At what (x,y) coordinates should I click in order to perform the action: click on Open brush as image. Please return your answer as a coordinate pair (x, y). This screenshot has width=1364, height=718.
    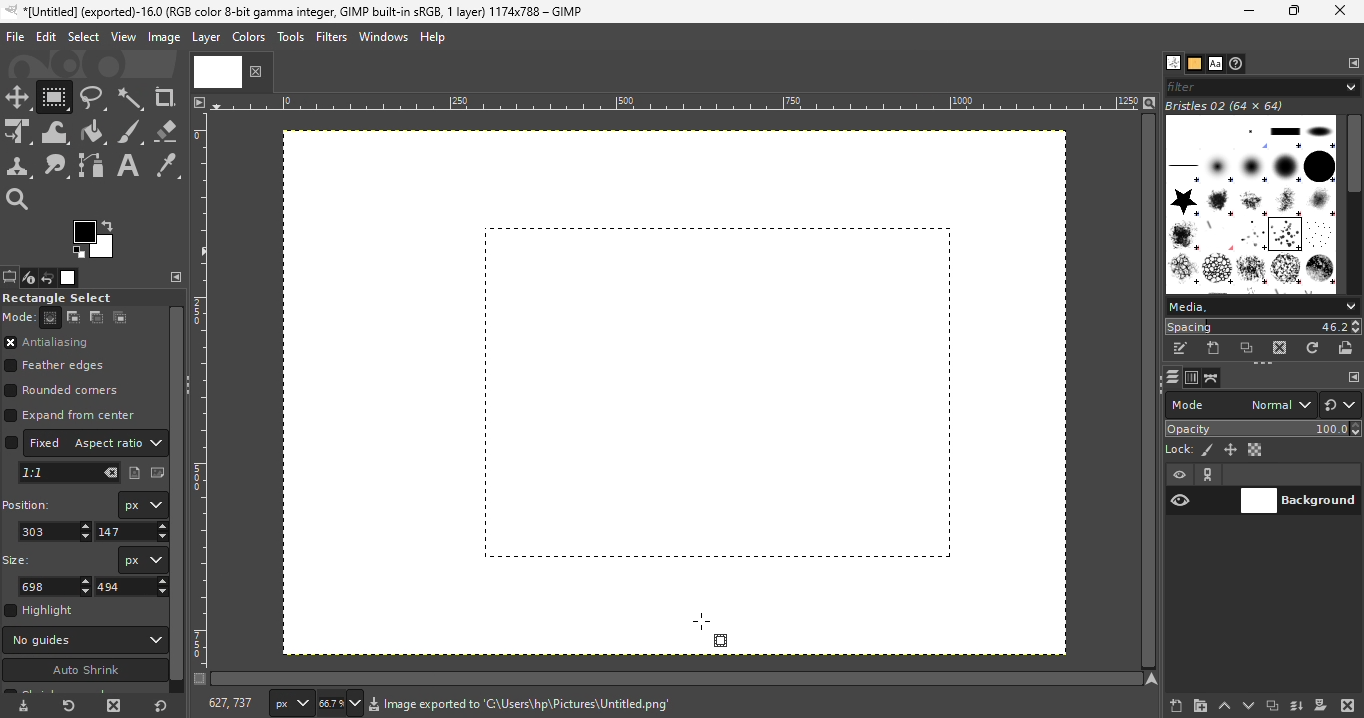
    Looking at the image, I should click on (1347, 347).